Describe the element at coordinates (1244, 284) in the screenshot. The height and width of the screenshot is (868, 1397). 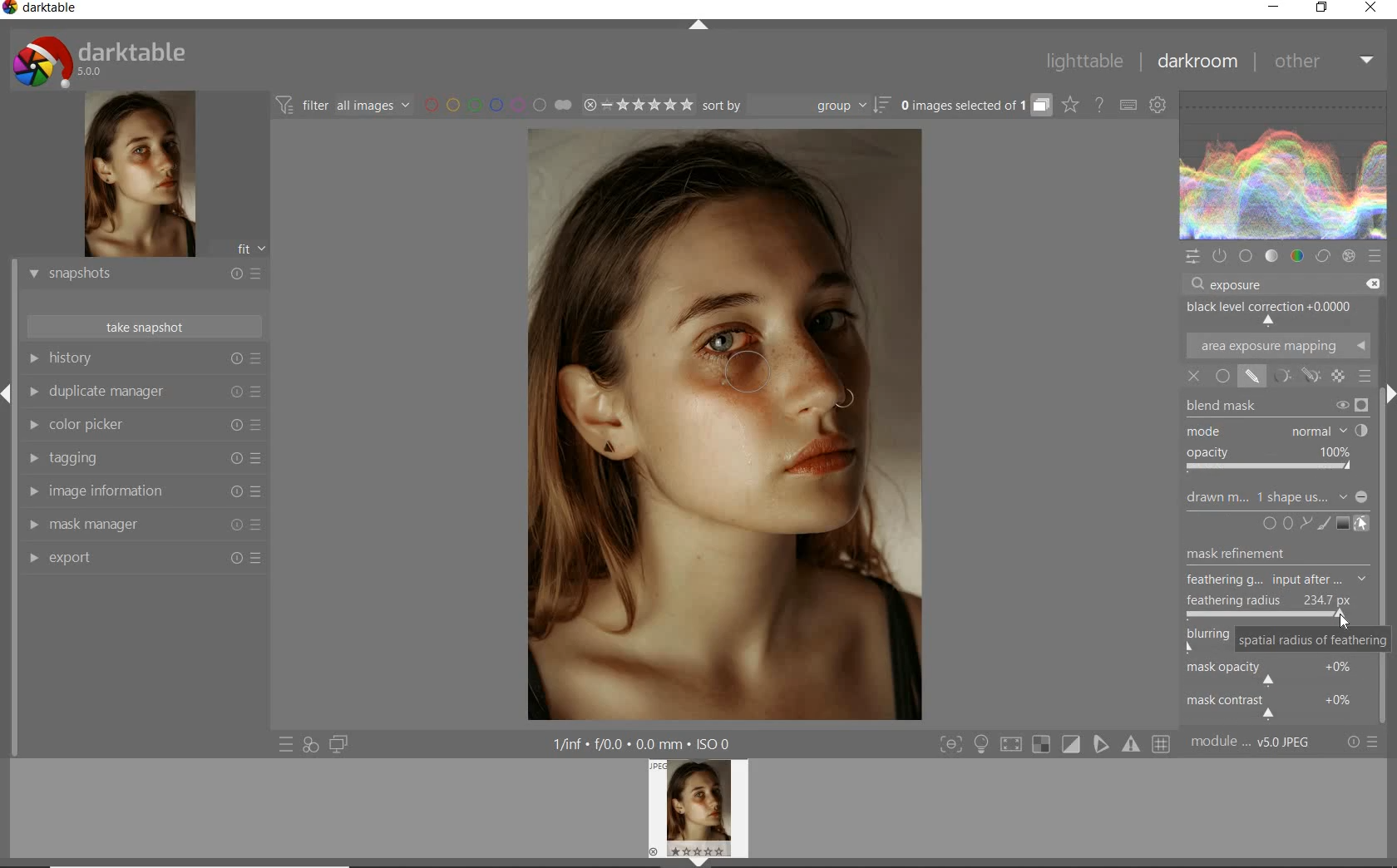
I see `INPUT VALUE` at that location.